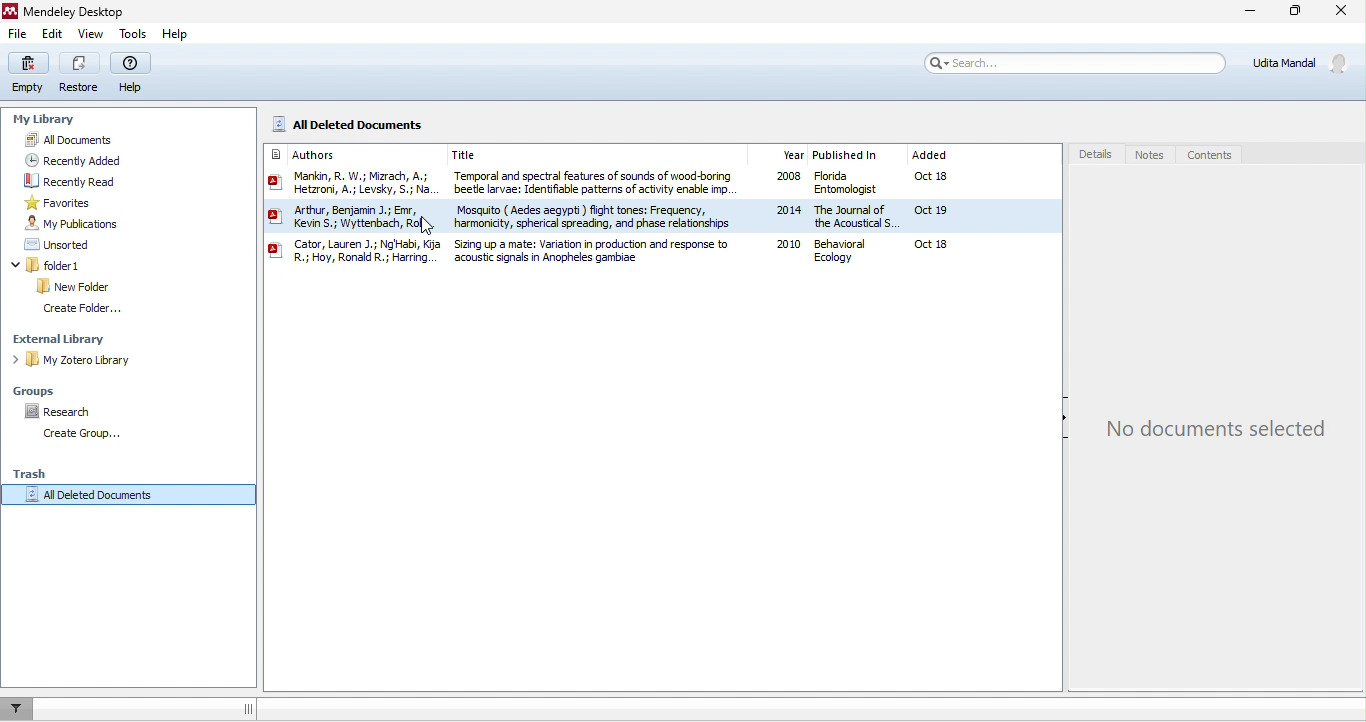 This screenshot has height=722, width=1366. Describe the element at coordinates (74, 285) in the screenshot. I see `new folder` at that location.